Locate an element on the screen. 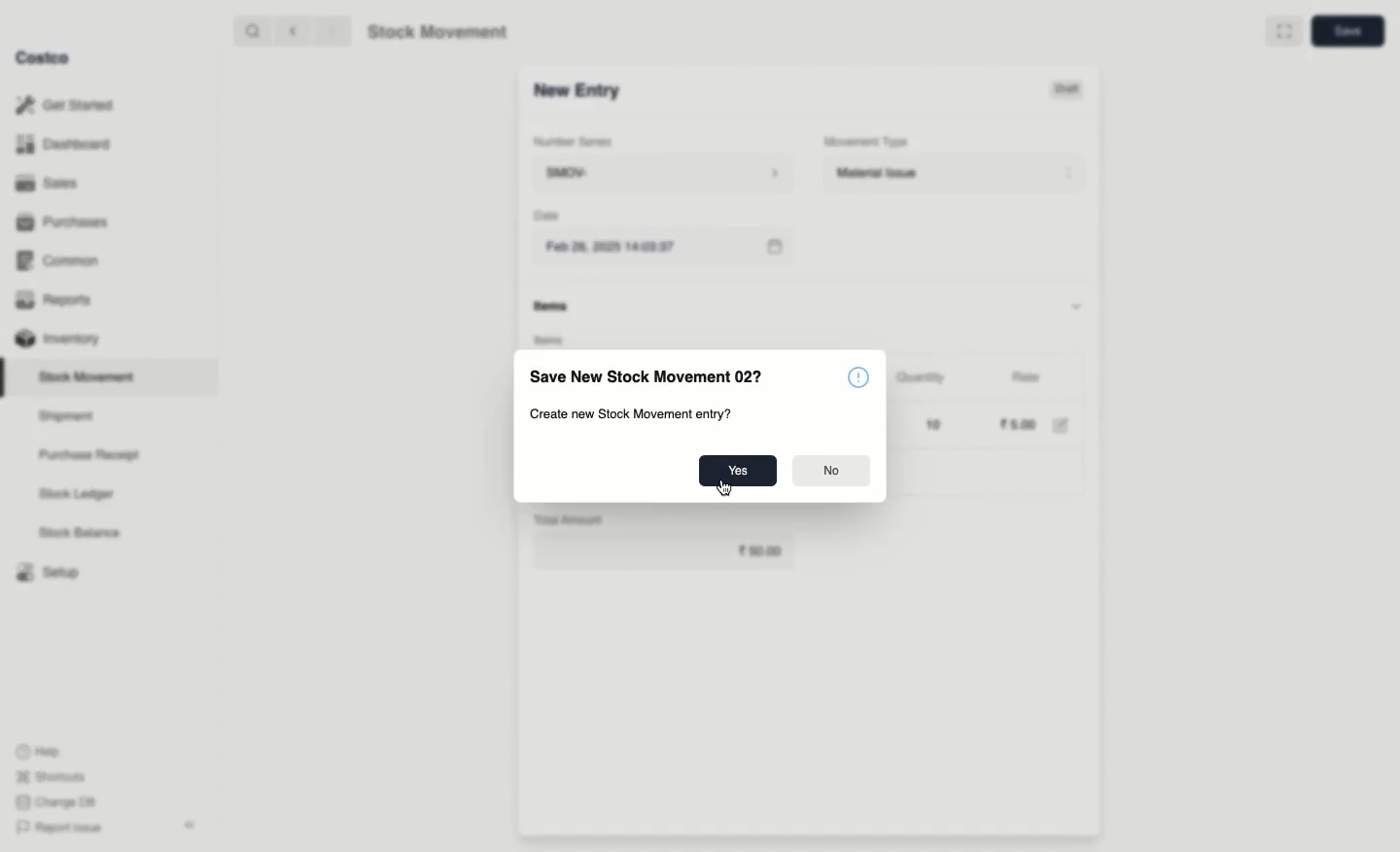 The height and width of the screenshot is (852, 1400). Change DB is located at coordinates (56, 802).